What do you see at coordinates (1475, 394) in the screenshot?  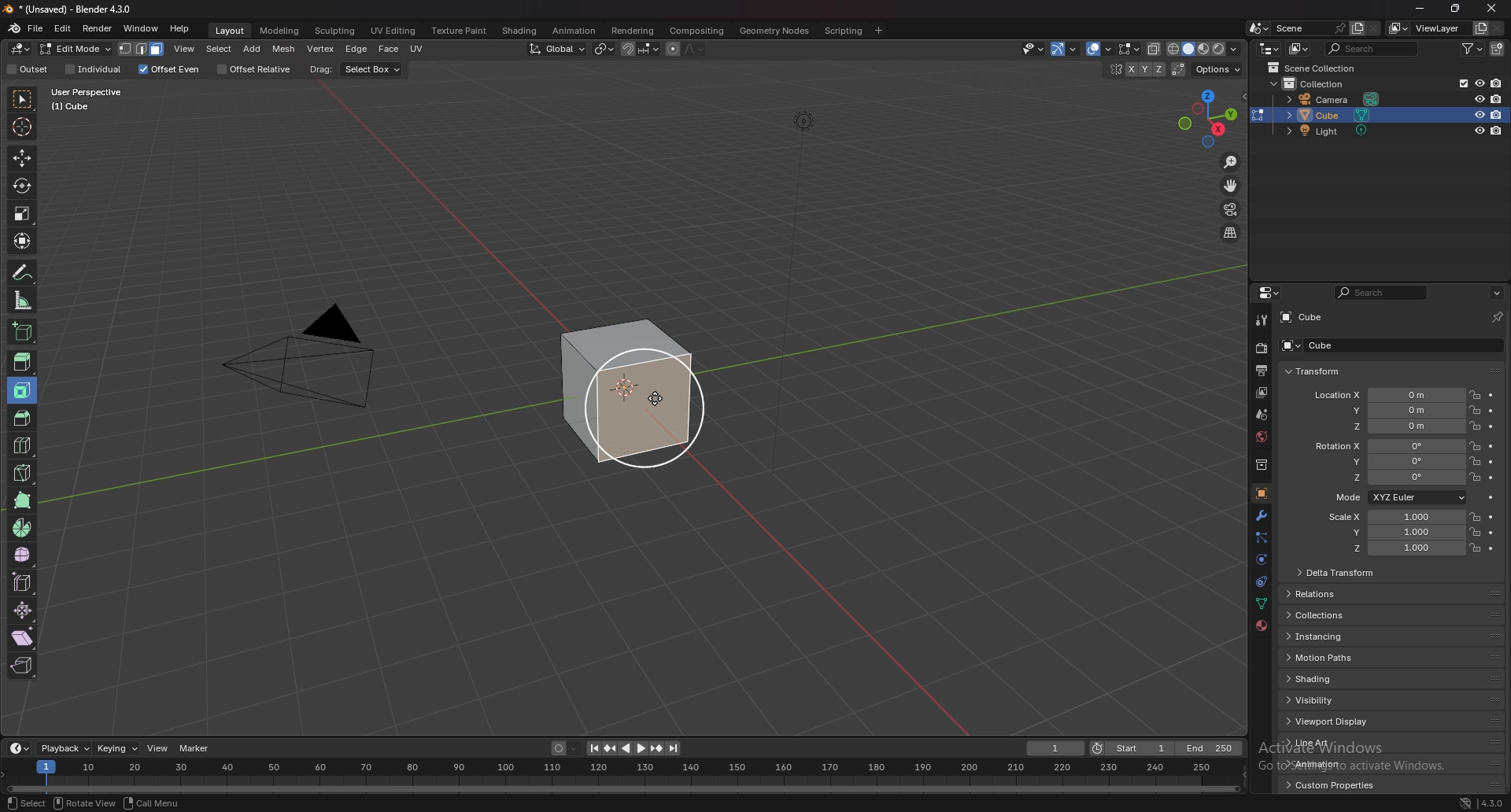 I see `lock` at bounding box center [1475, 394].